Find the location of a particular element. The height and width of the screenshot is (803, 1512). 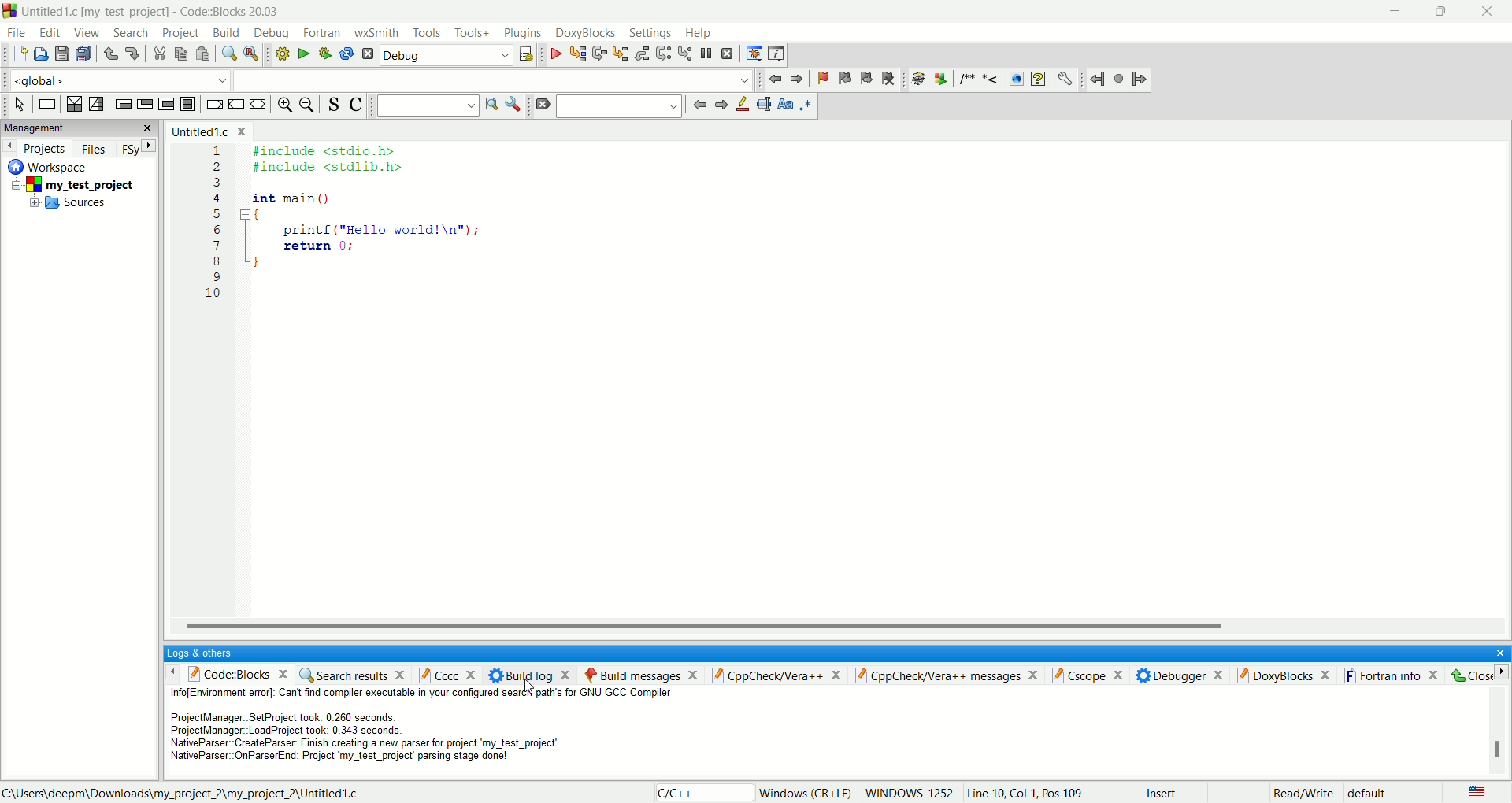

next bookmark is located at coordinates (864, 81).